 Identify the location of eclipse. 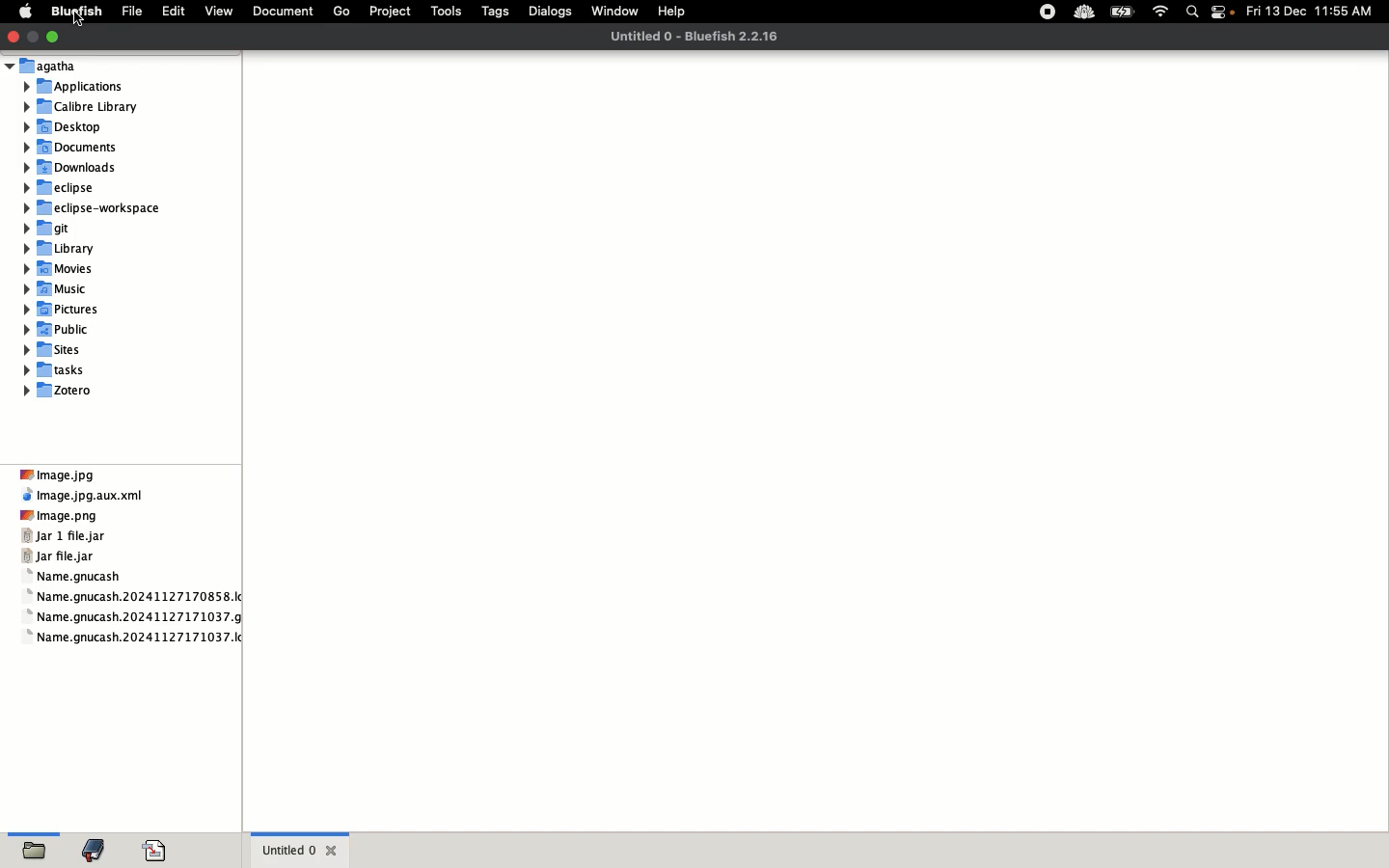
(67, 188).